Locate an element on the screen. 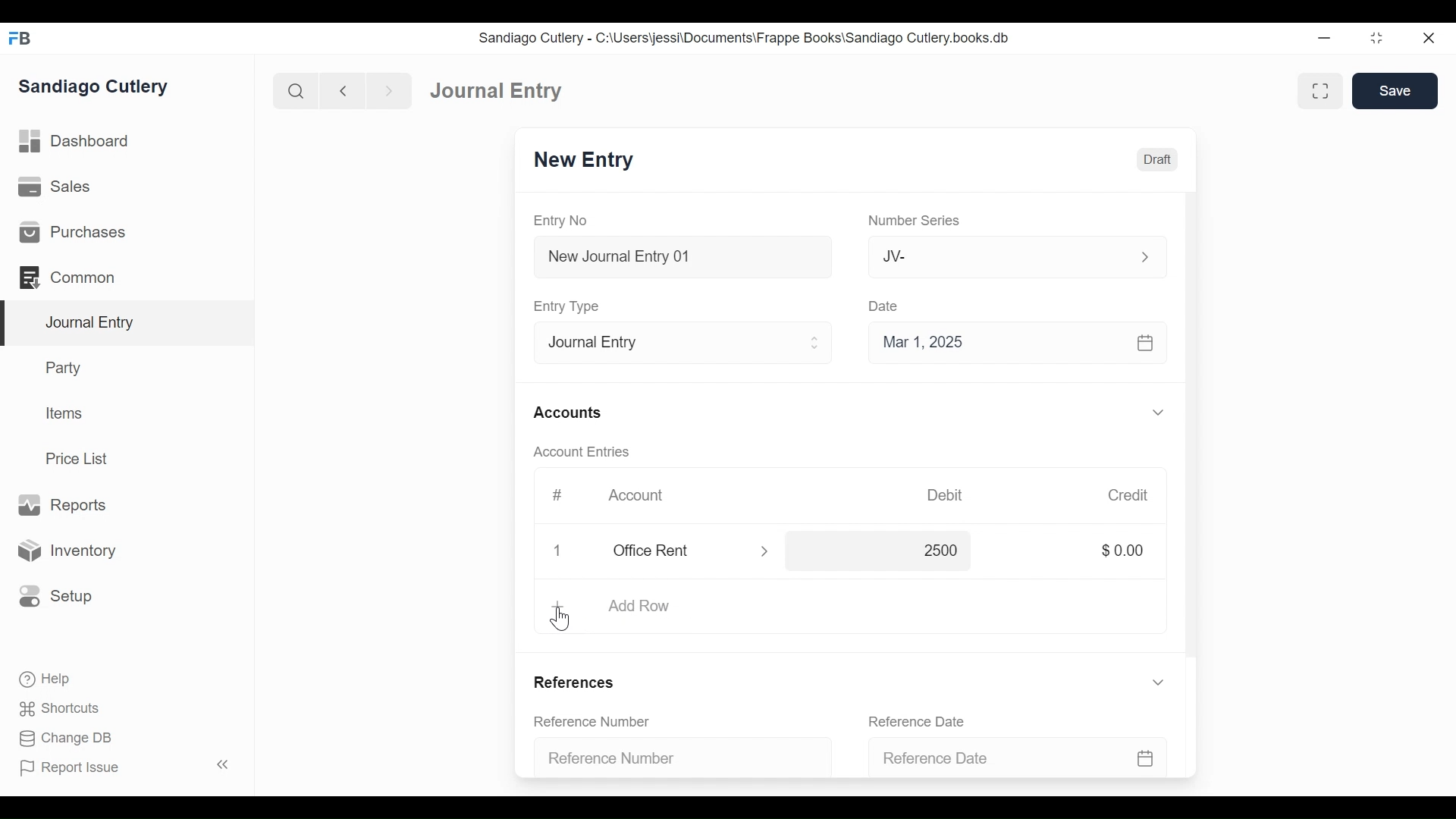  Entry Type is located at coordinates (678, 340).